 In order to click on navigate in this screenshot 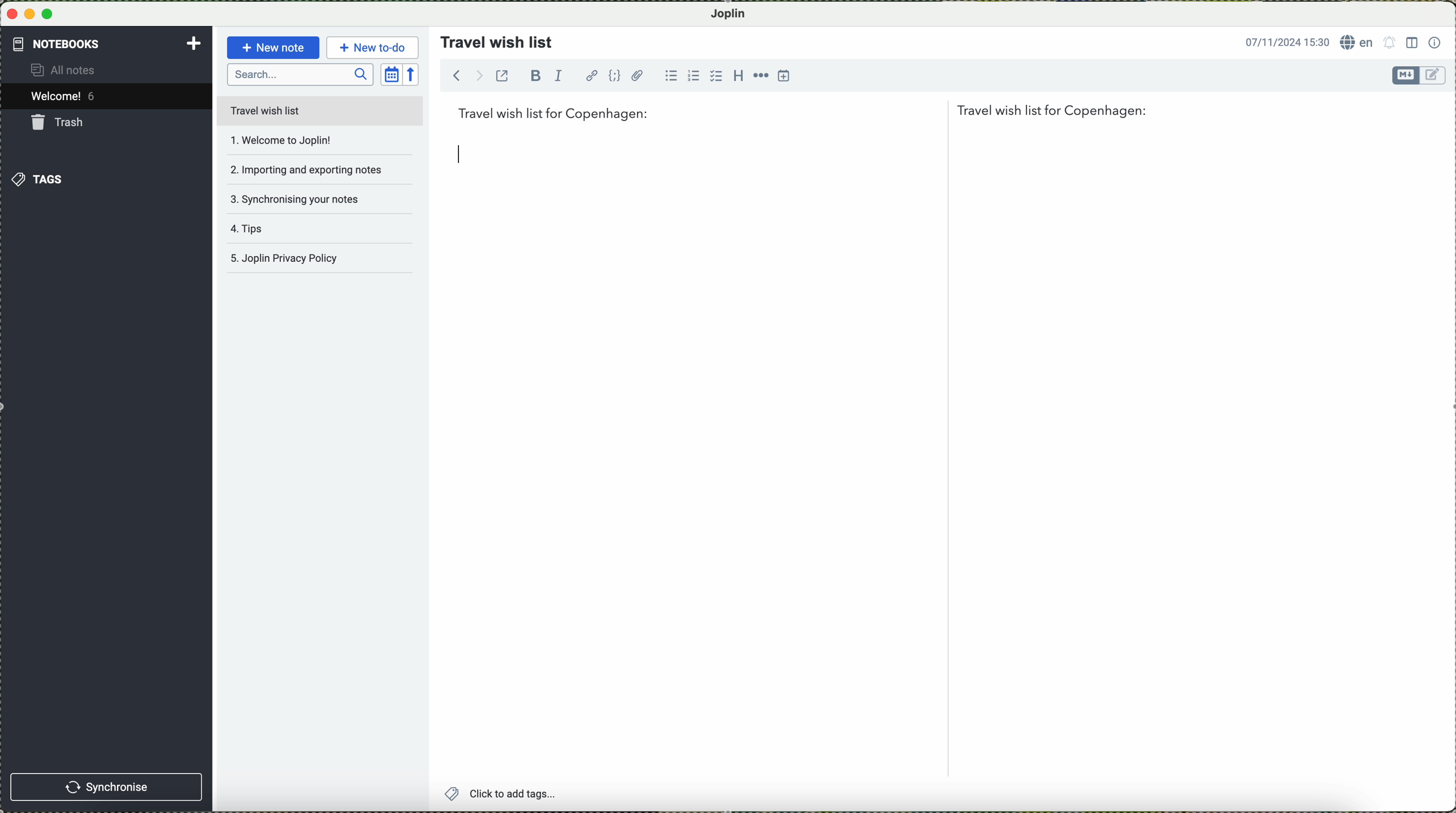, I will do `click(461, 78)`.